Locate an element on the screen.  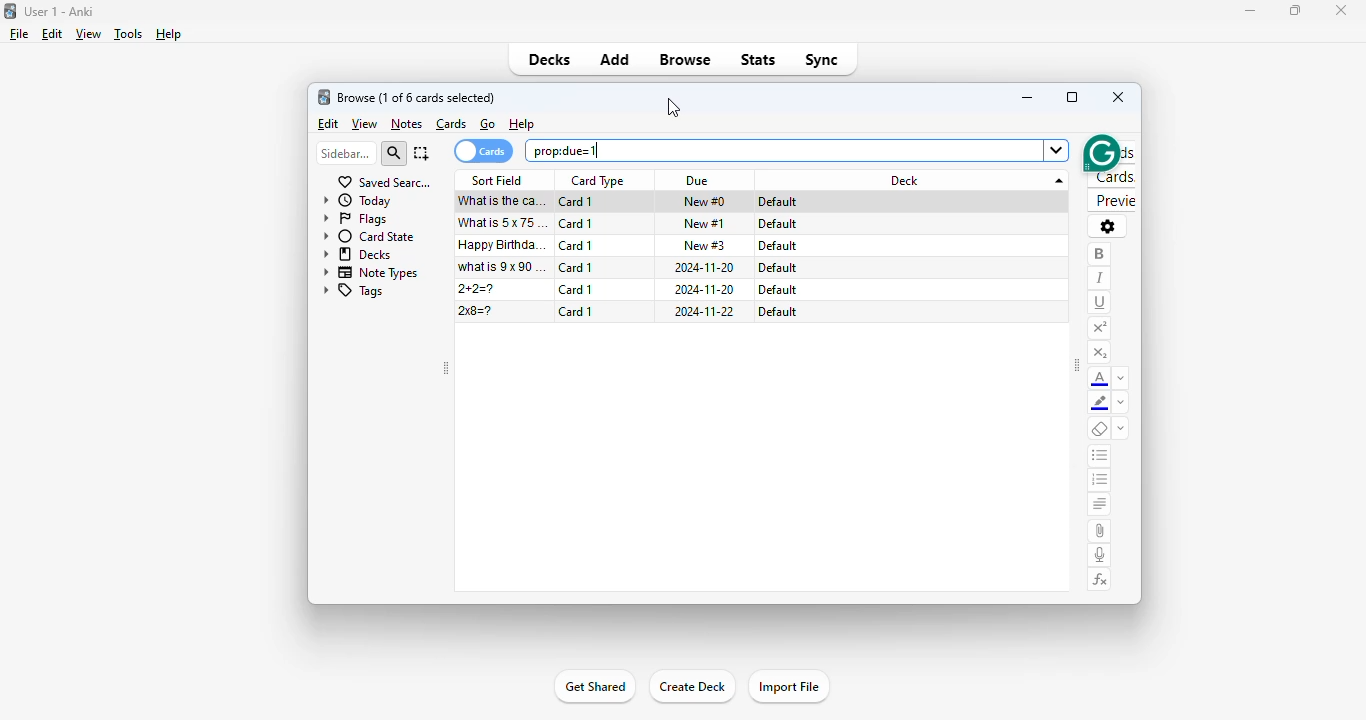
select is located at coordinates (422, 154).